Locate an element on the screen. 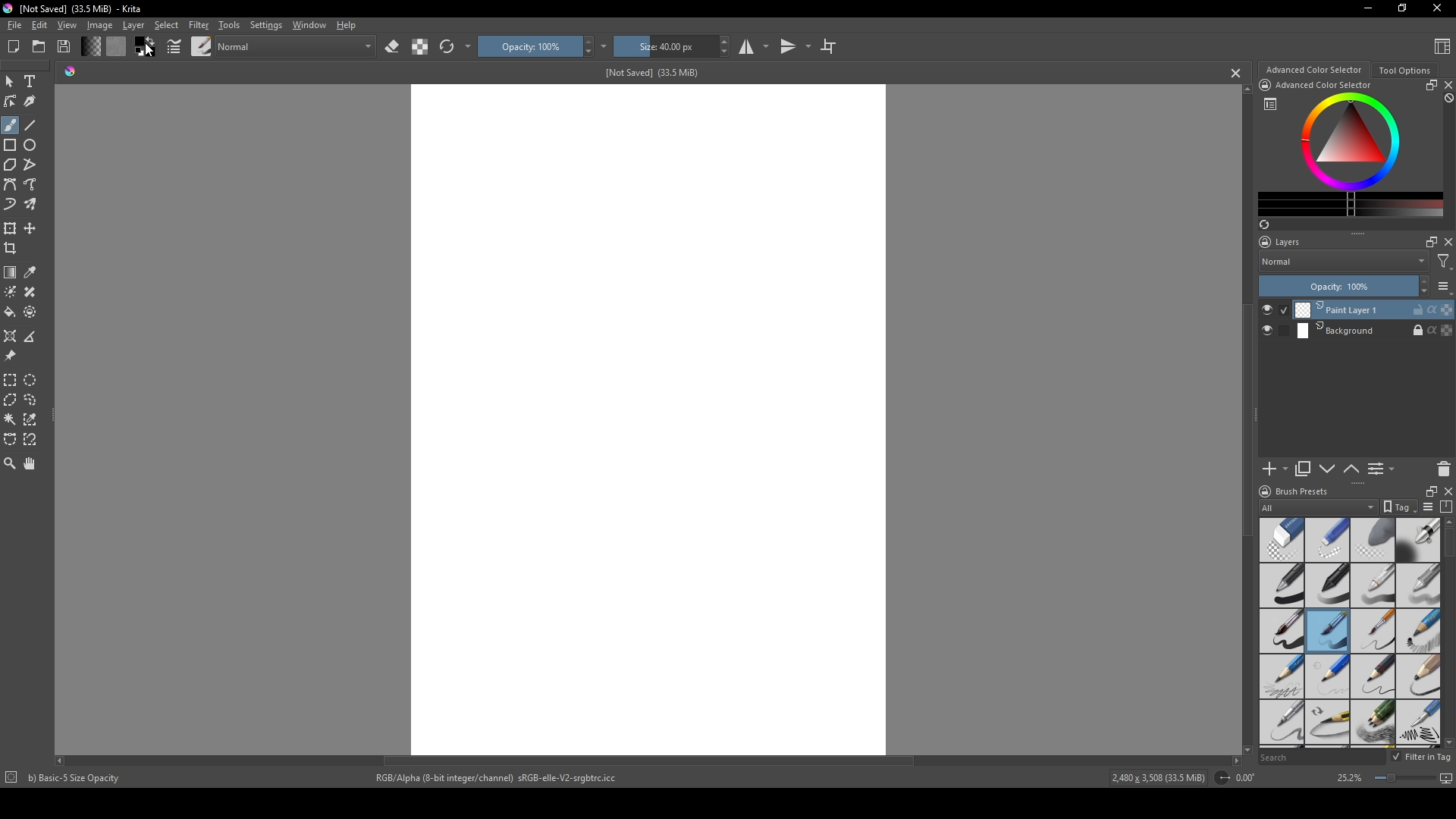 The height and width of the screenshot is (819, 1456). normal is located at coordinates (295, 45).